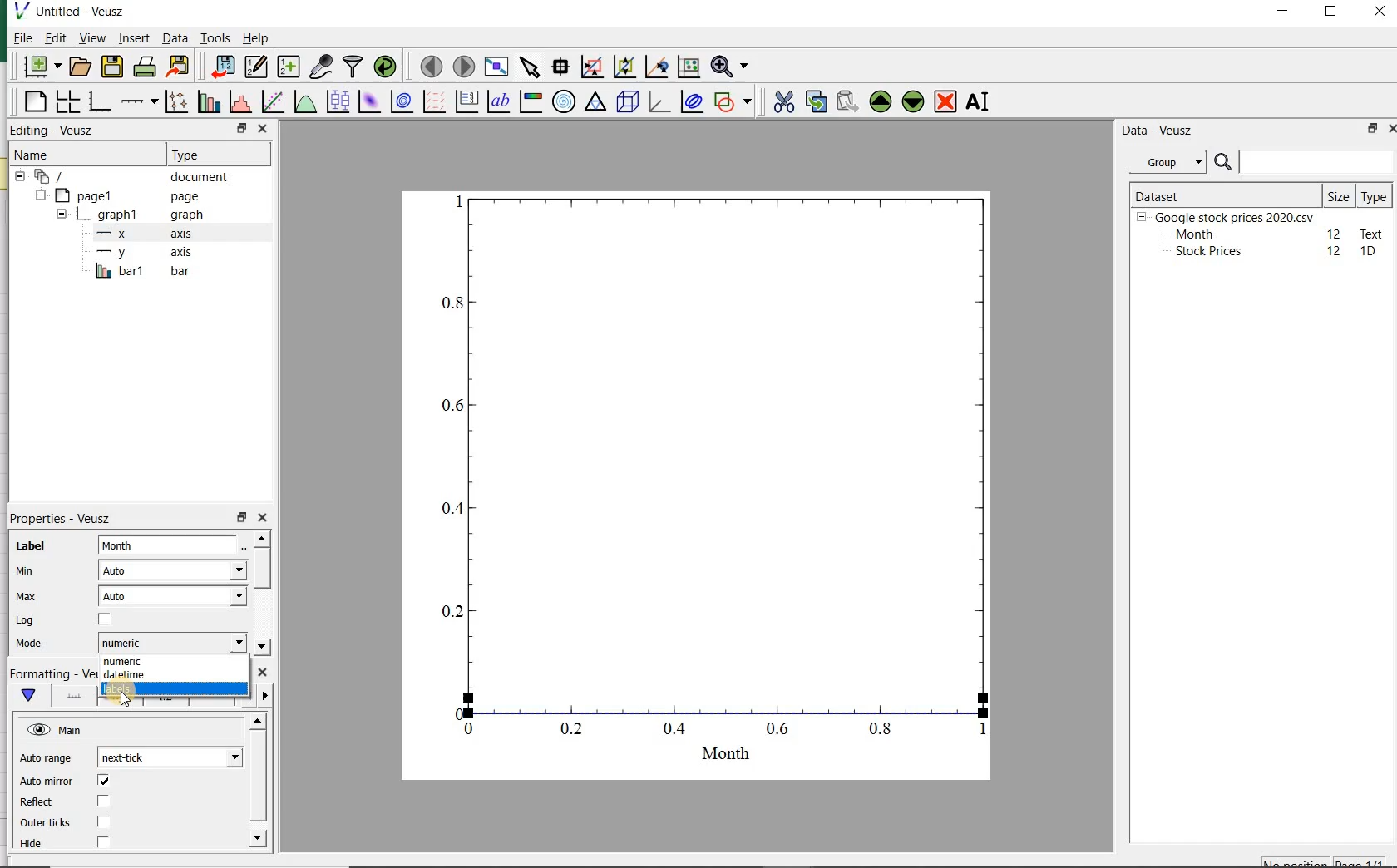 The width and height of the screenshot is (1397, 868). What do you see at coordinates (141, 253) in the screenshot?
I see `y-axis` at bounding box center [141, 253].